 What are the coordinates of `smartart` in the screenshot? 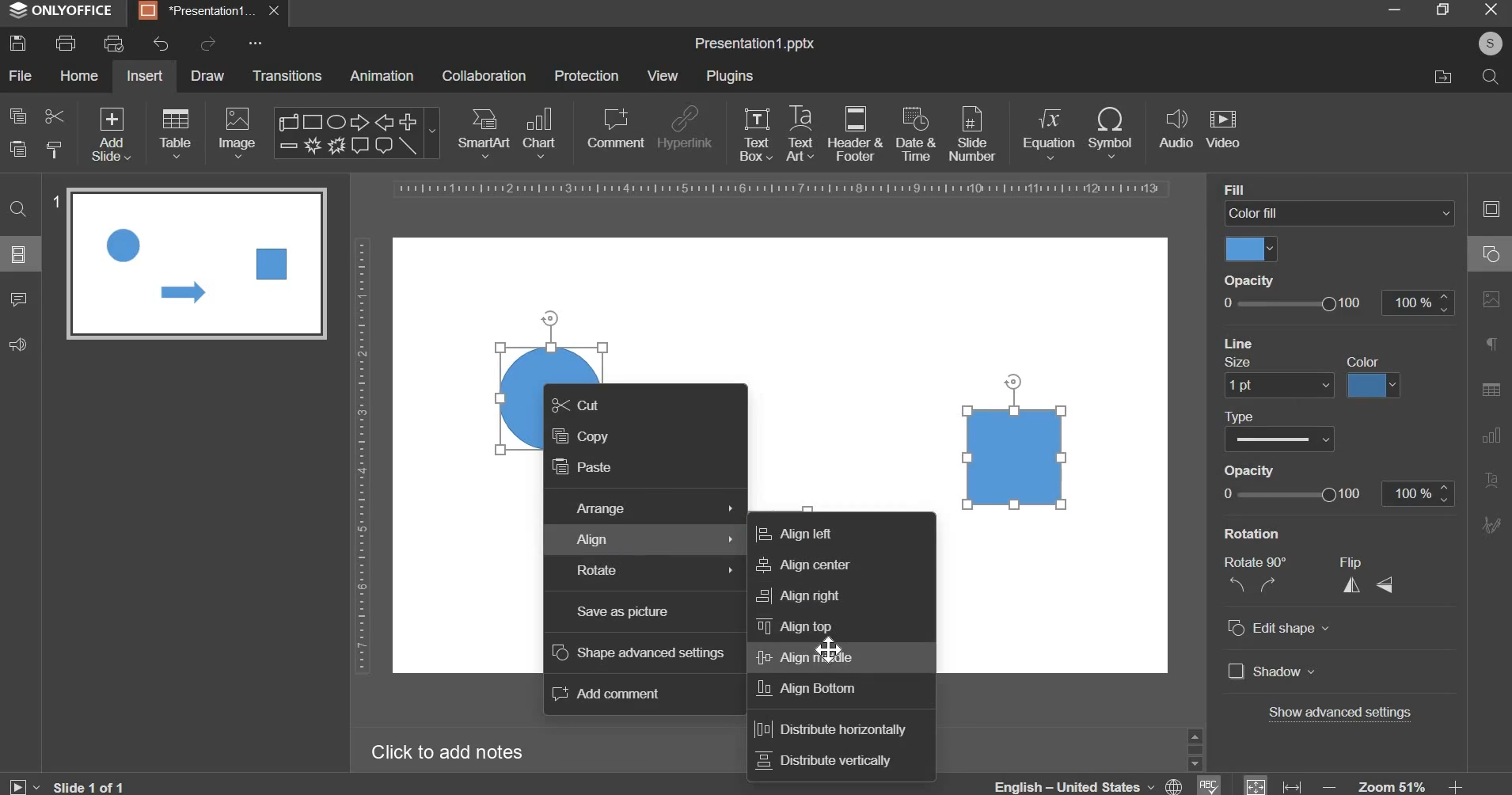 It's located at (484, 130).